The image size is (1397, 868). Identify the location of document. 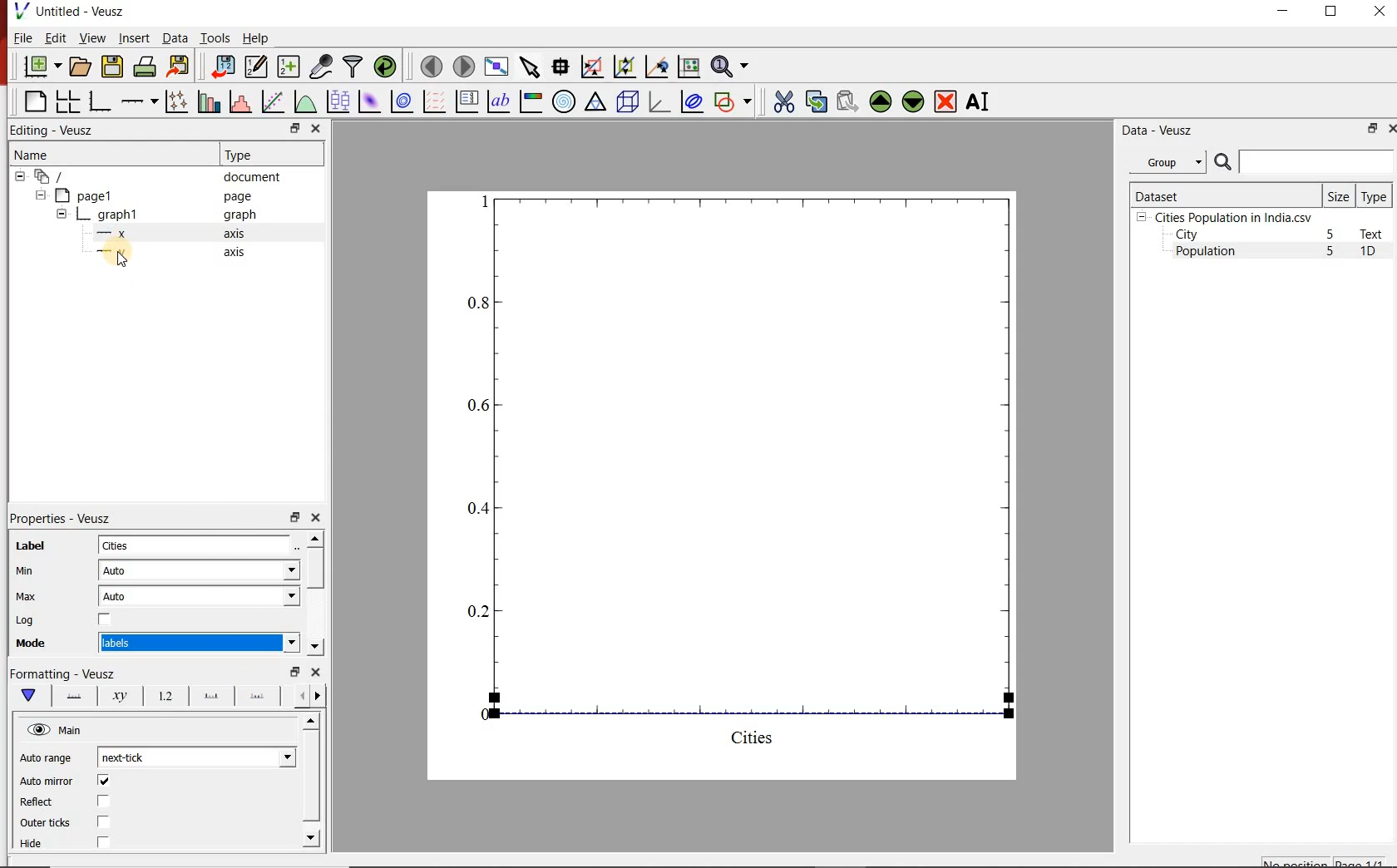
(153, 175).